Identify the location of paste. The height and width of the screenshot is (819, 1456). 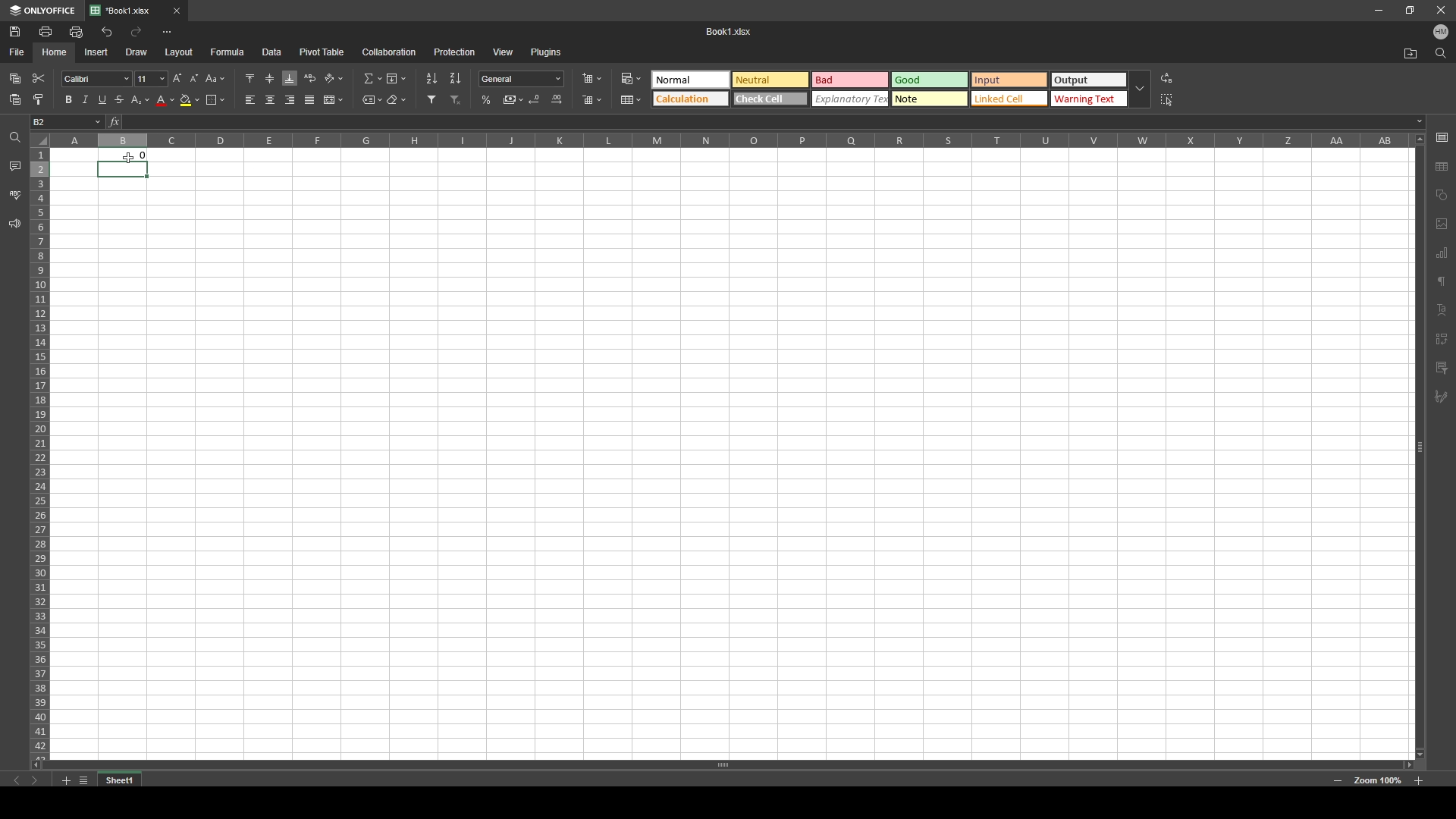
(15, 79).